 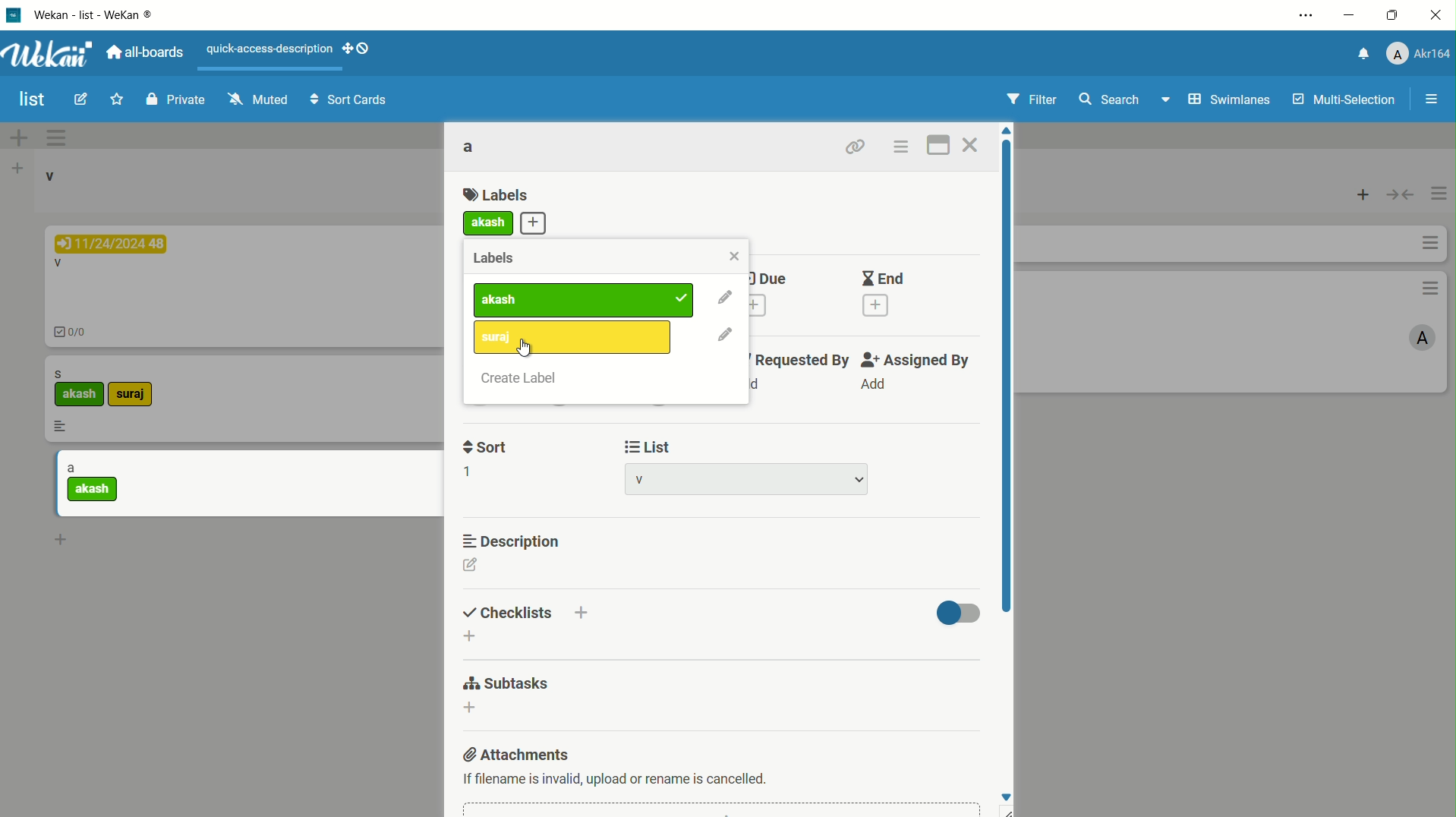 I want to click on edit, so click(x=727, y=296).